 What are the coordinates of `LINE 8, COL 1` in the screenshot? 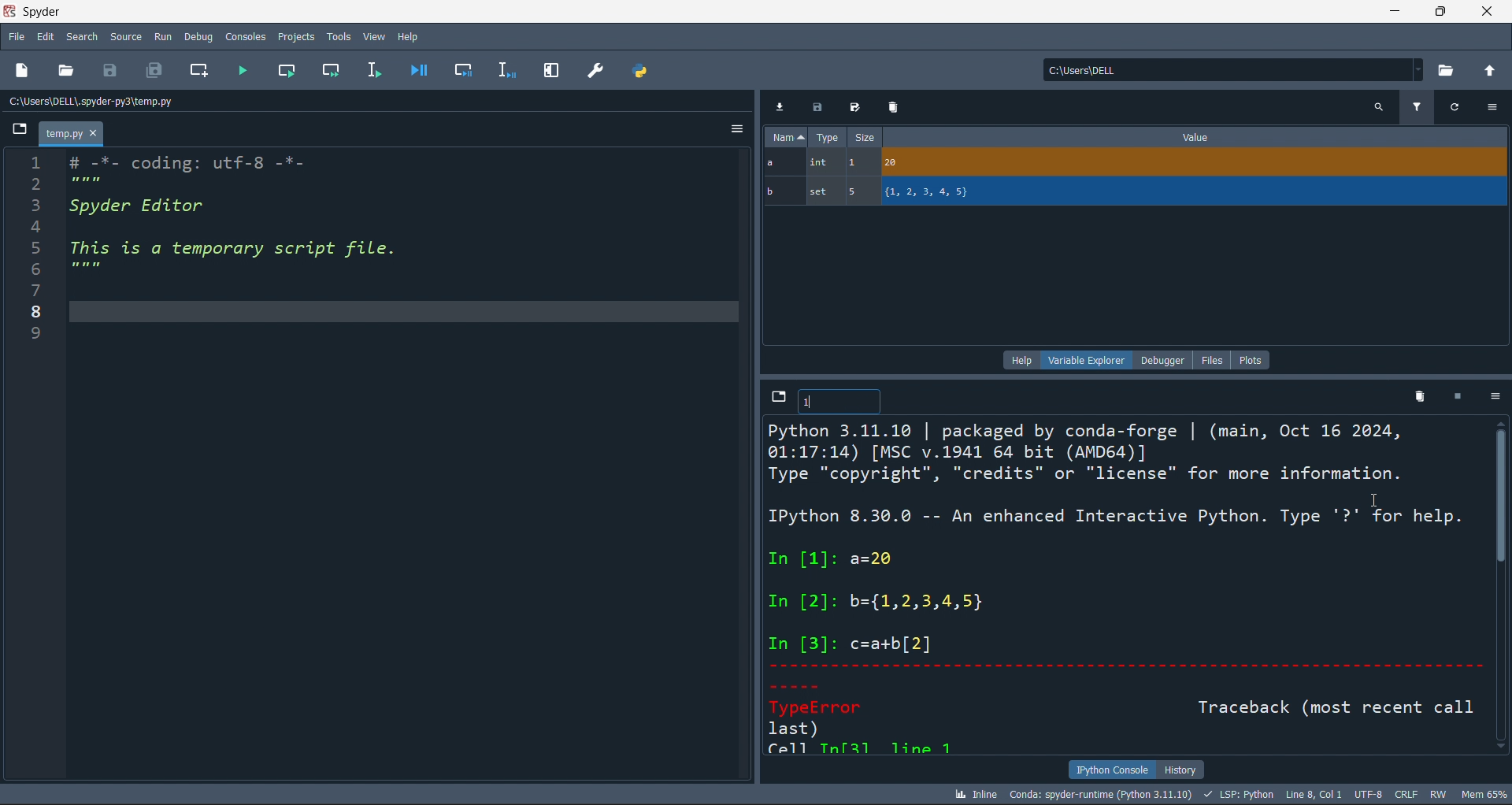 It's located at (1317, 794).